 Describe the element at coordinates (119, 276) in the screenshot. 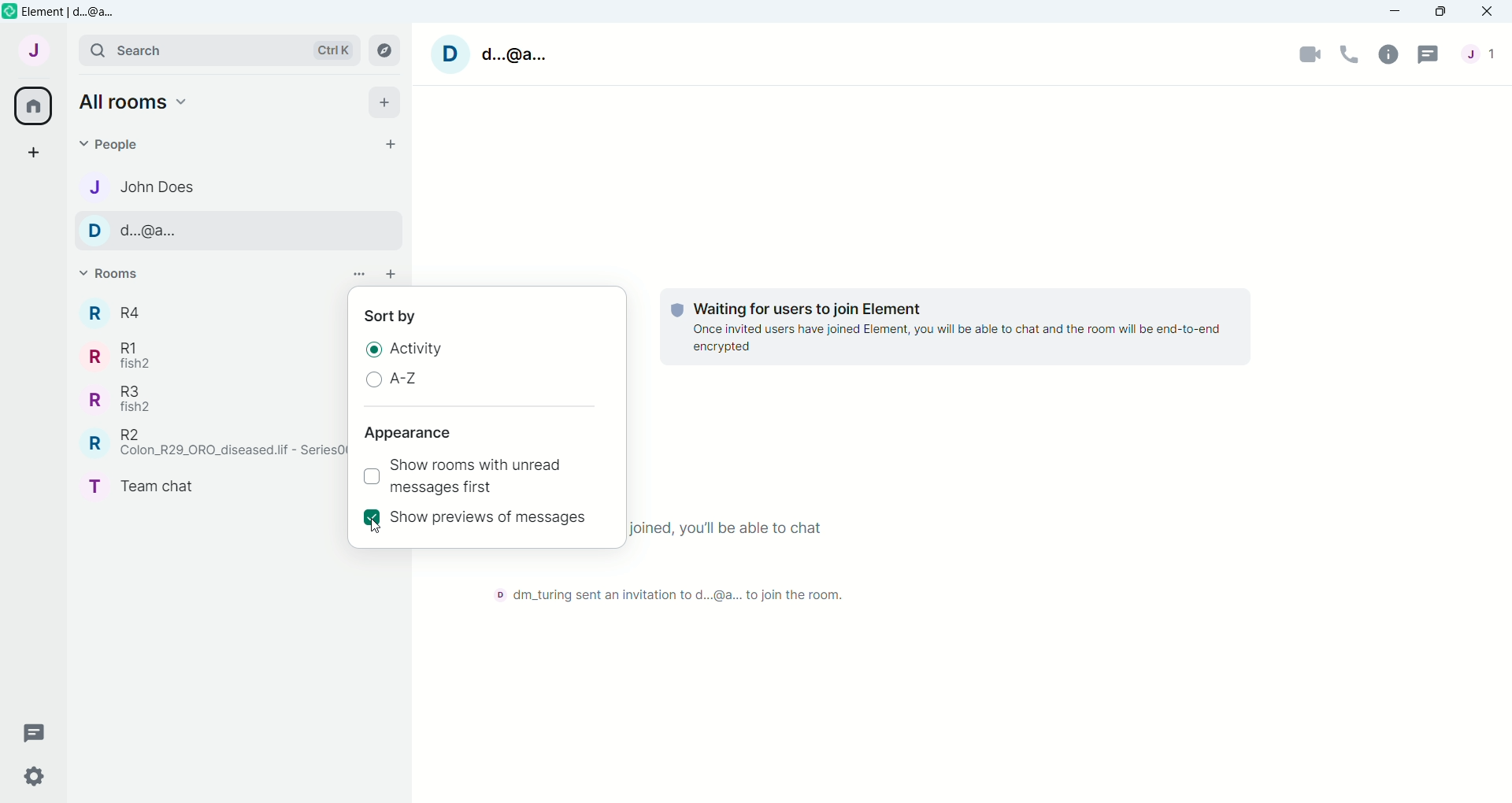

I see `Rooms` at that location.